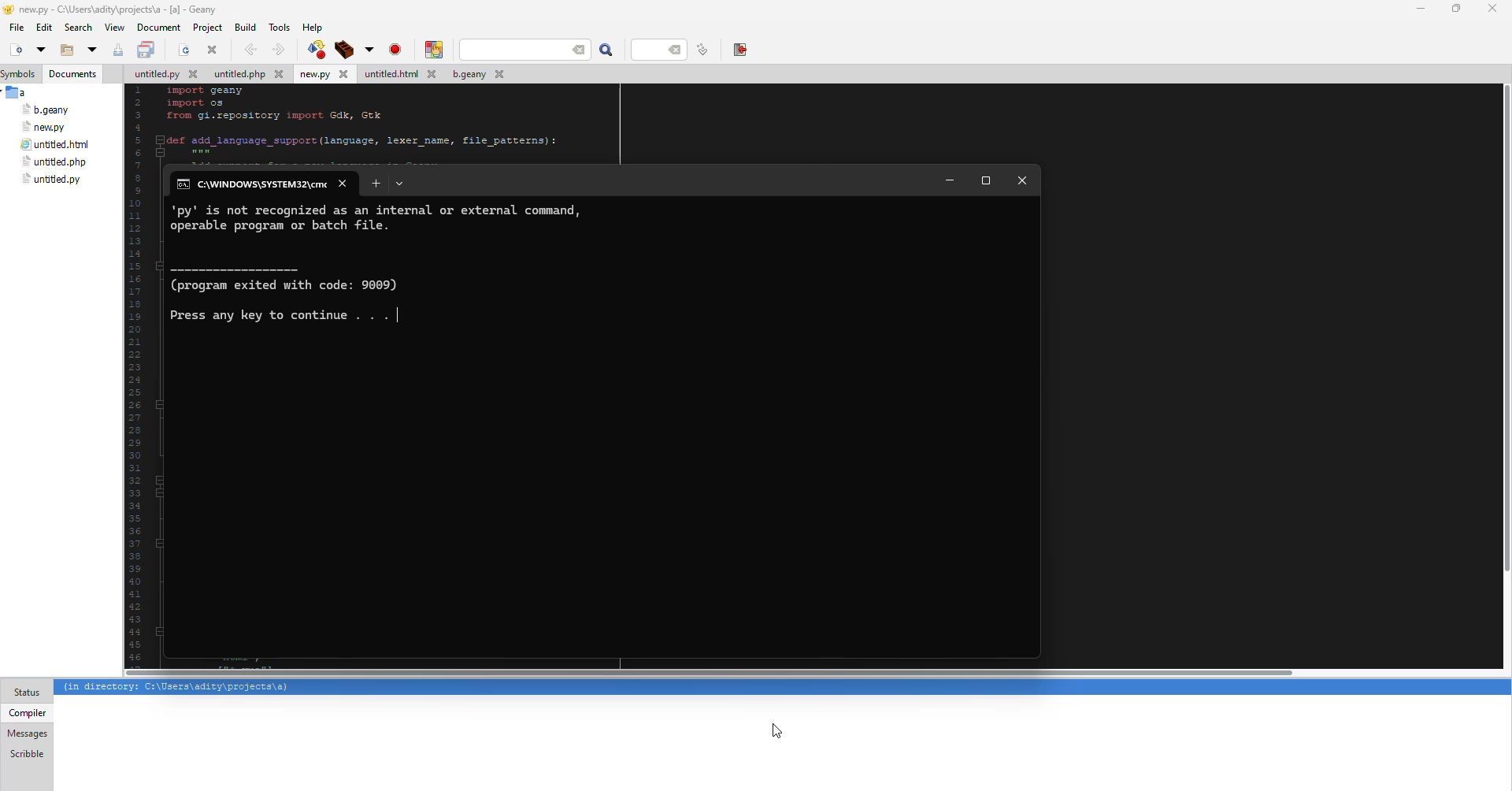 The image size is (1512, 791). I want to click on view, so click(114, 28).